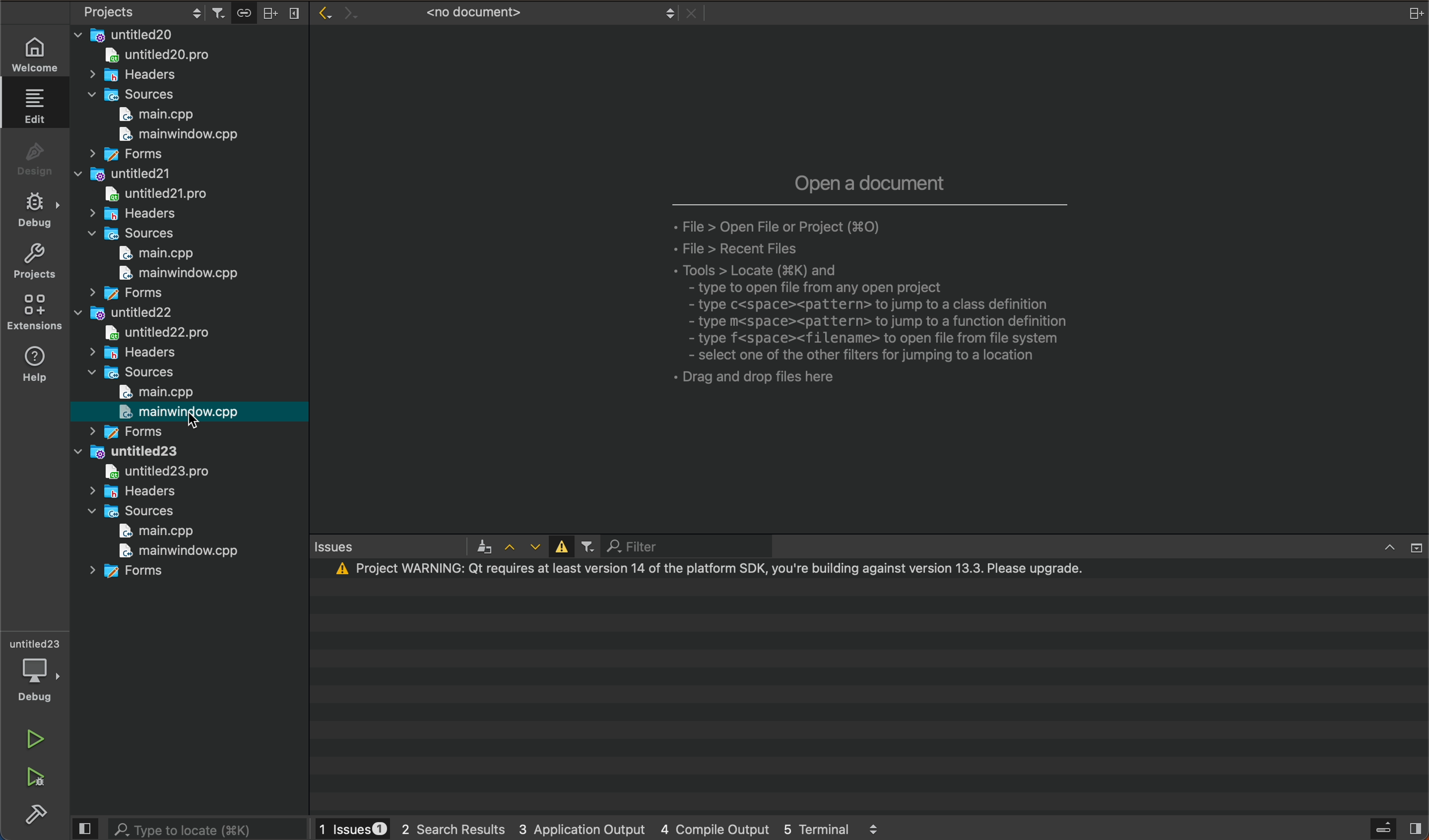  What do you see at coordinates (692, 14) in the screenshot?
I see `close tab` at bounding box center [692, 14].